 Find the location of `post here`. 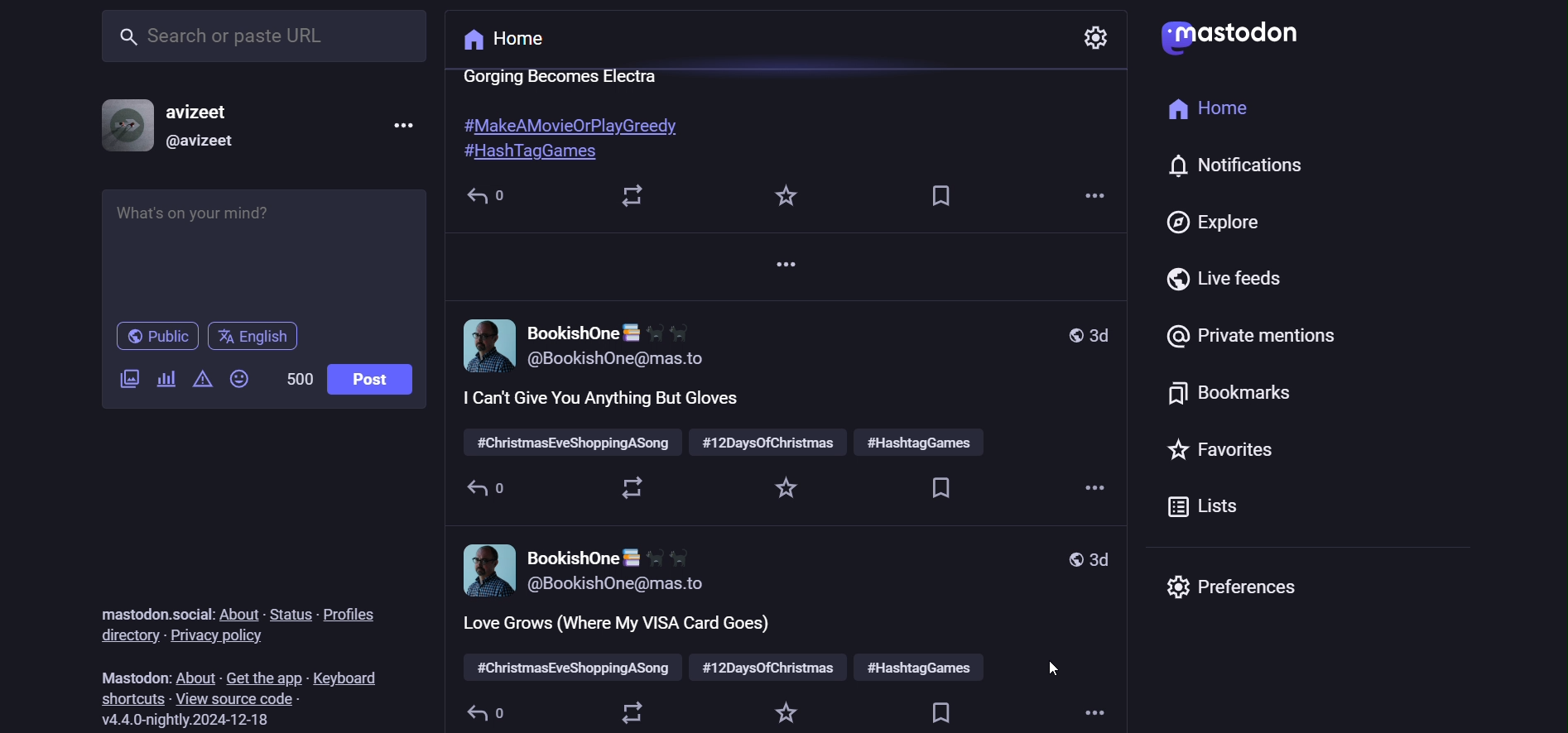

post here is located at coordinates (263, 247).